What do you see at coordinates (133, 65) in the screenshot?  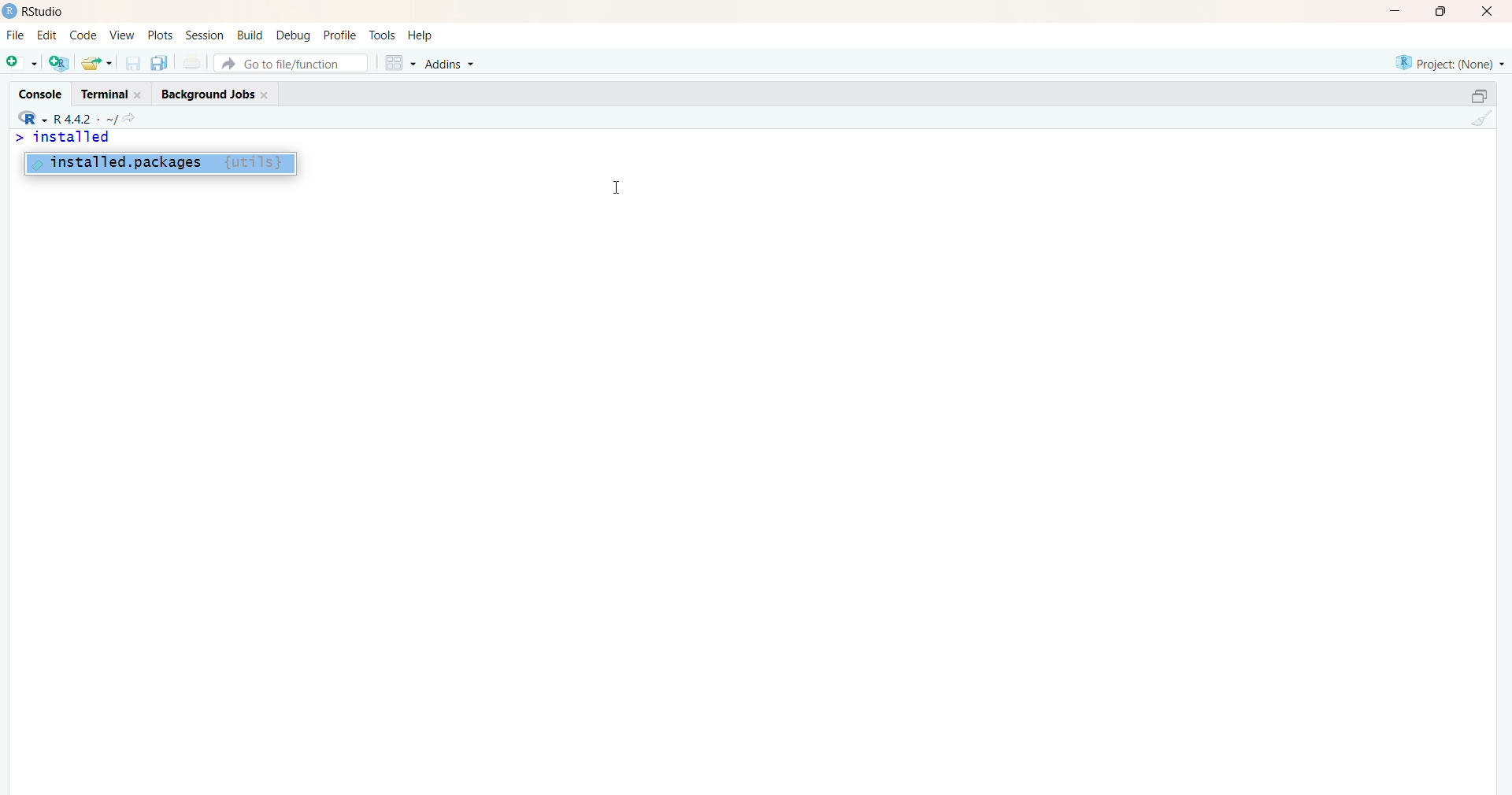 I see `save current document` at bounding box center [133, 65].